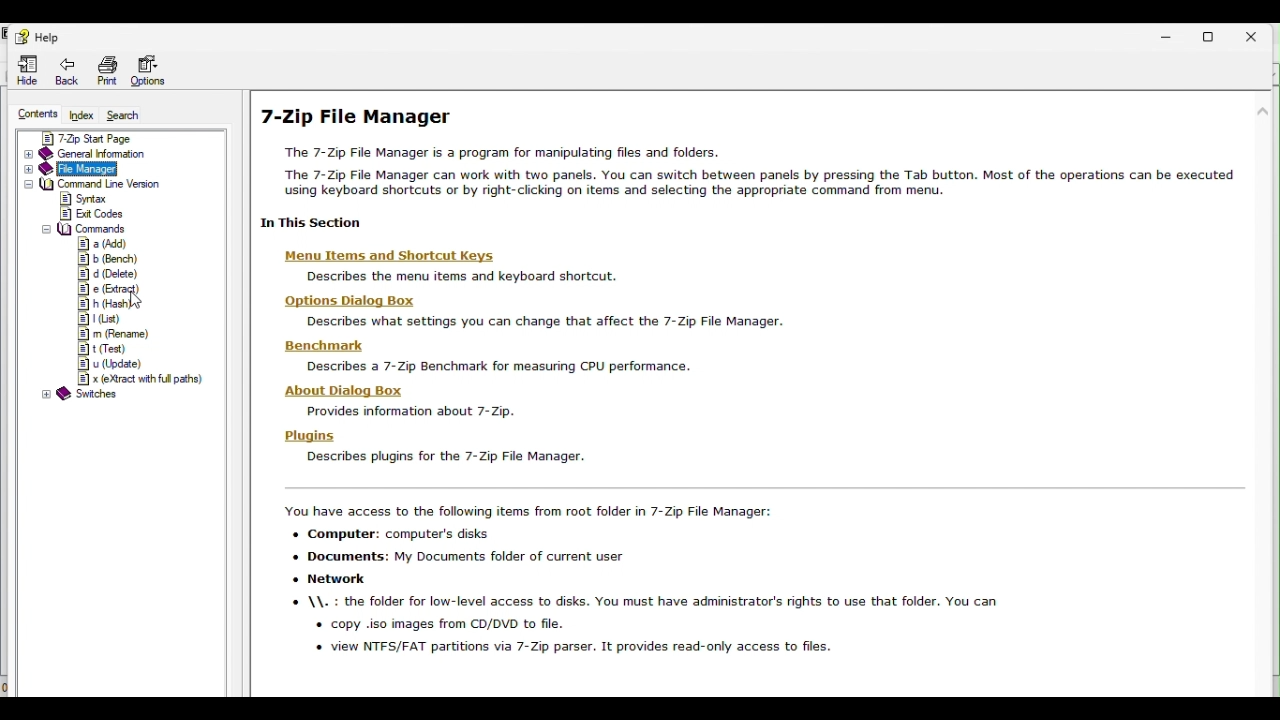 The height and width of the screenshot is (720, 1280). Describe the element at coordinates (407, 402) in the screenshot. I see `about dialog box` at that location.